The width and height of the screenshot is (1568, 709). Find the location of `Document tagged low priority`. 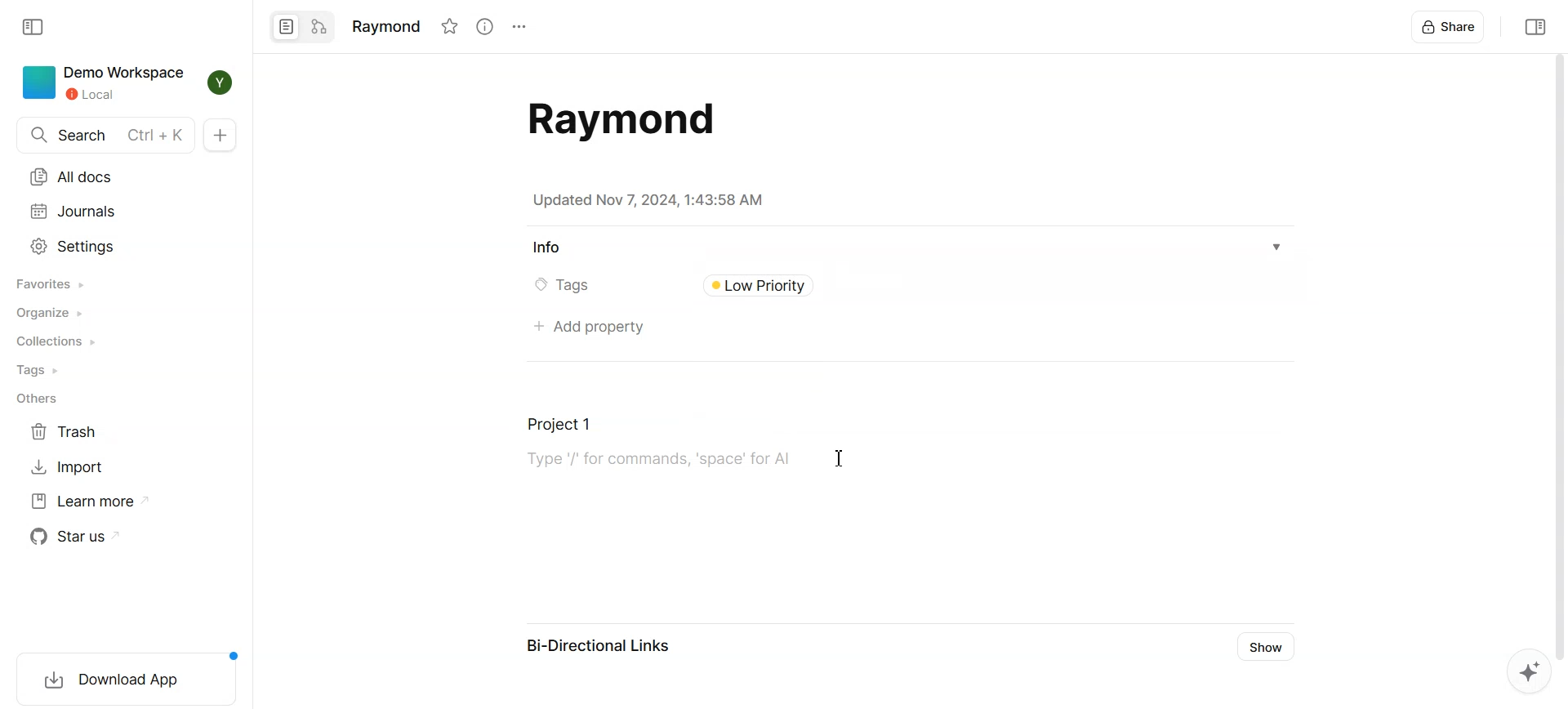

Document tagged low priority is located at coordinates (785, 285).